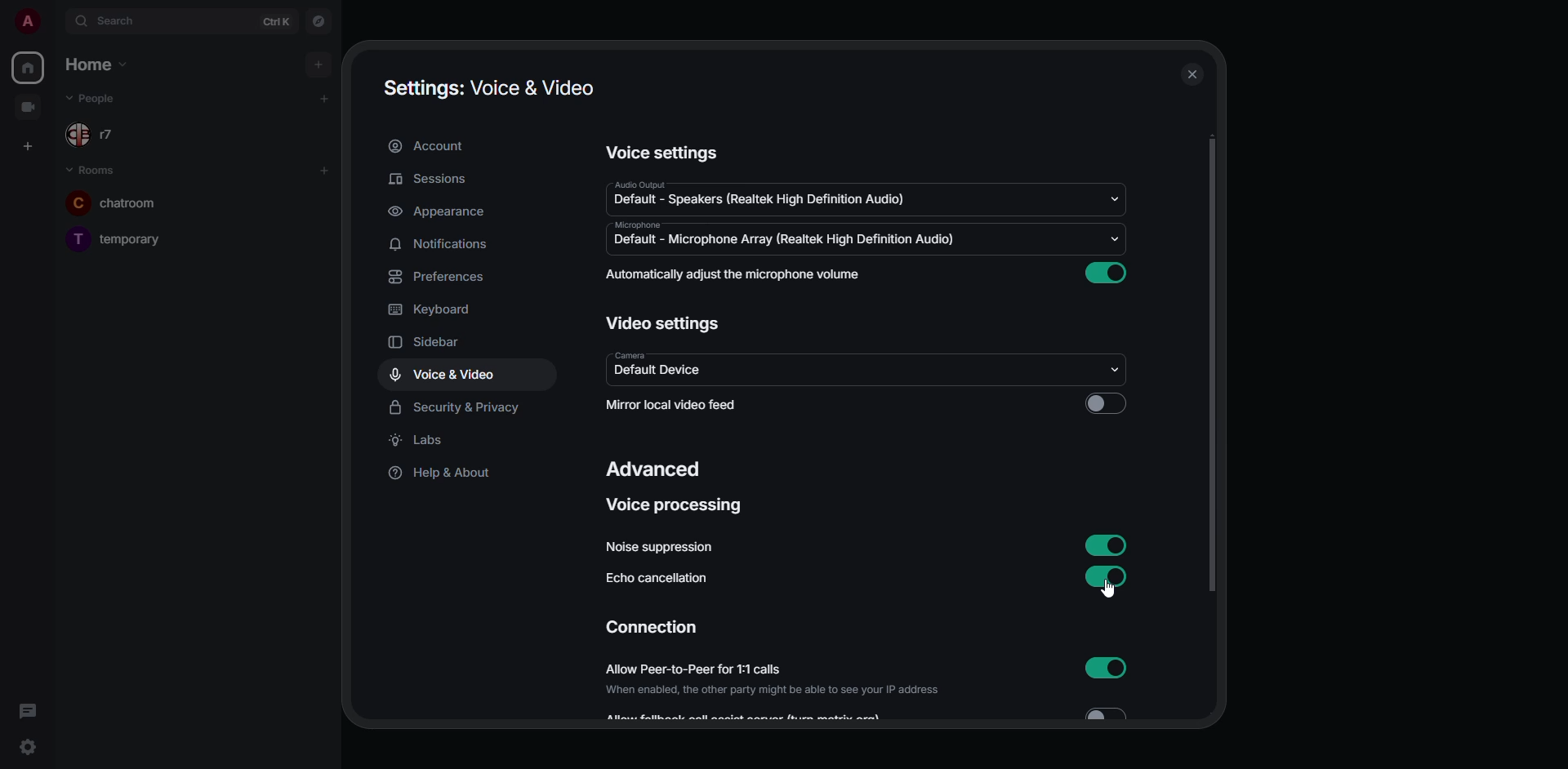 Image resolution: width=1568 pixels, height=769 pixels. What do you see at coordinates (774, 679) in the screenshot?
I see `allow peer-to-peer for 1:1 calls` at bounding box center [774, 679].